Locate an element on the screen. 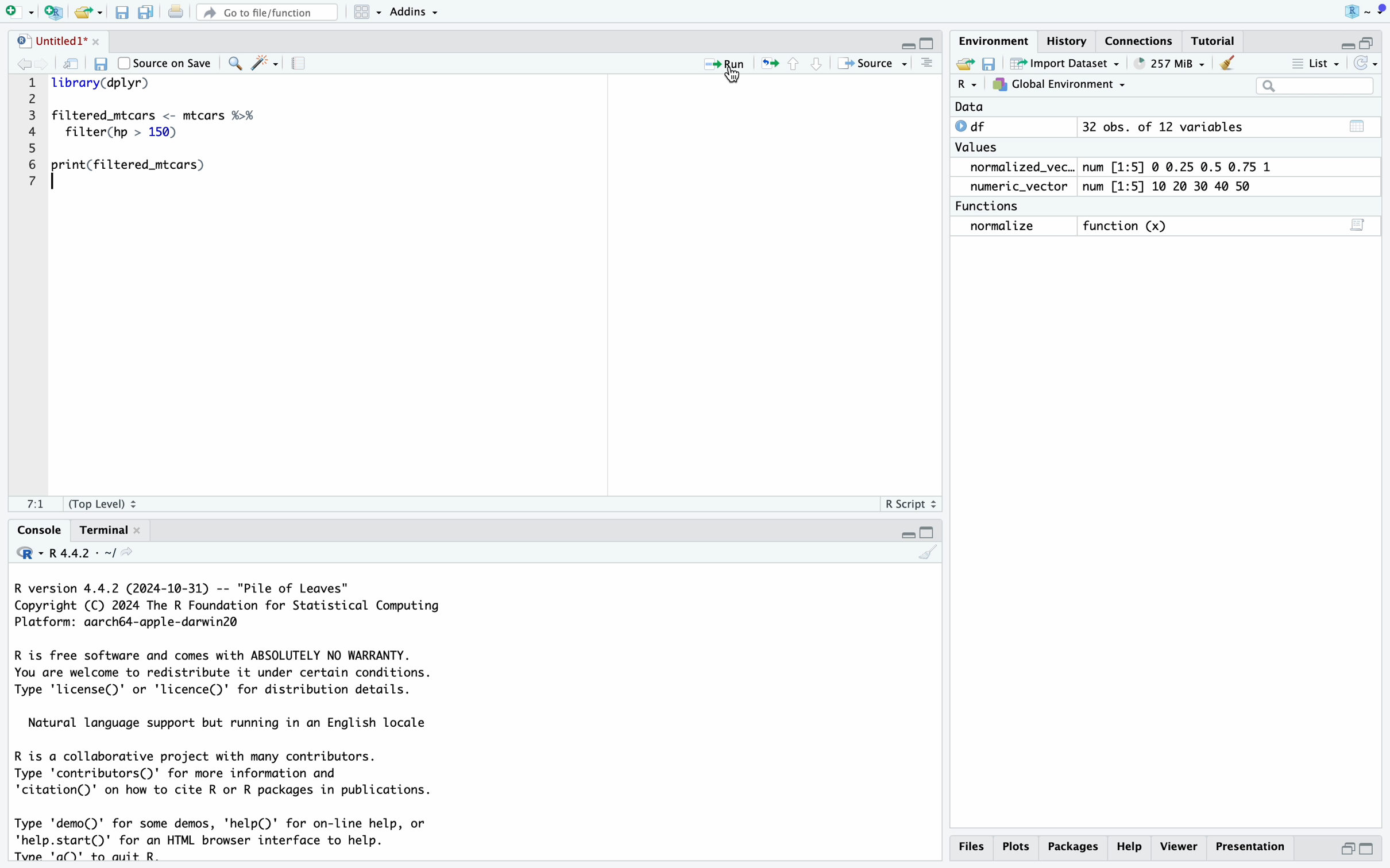 Image resolution: width=1390 pixels, height=868 pixels. Console is located at coordinates (40, 530).